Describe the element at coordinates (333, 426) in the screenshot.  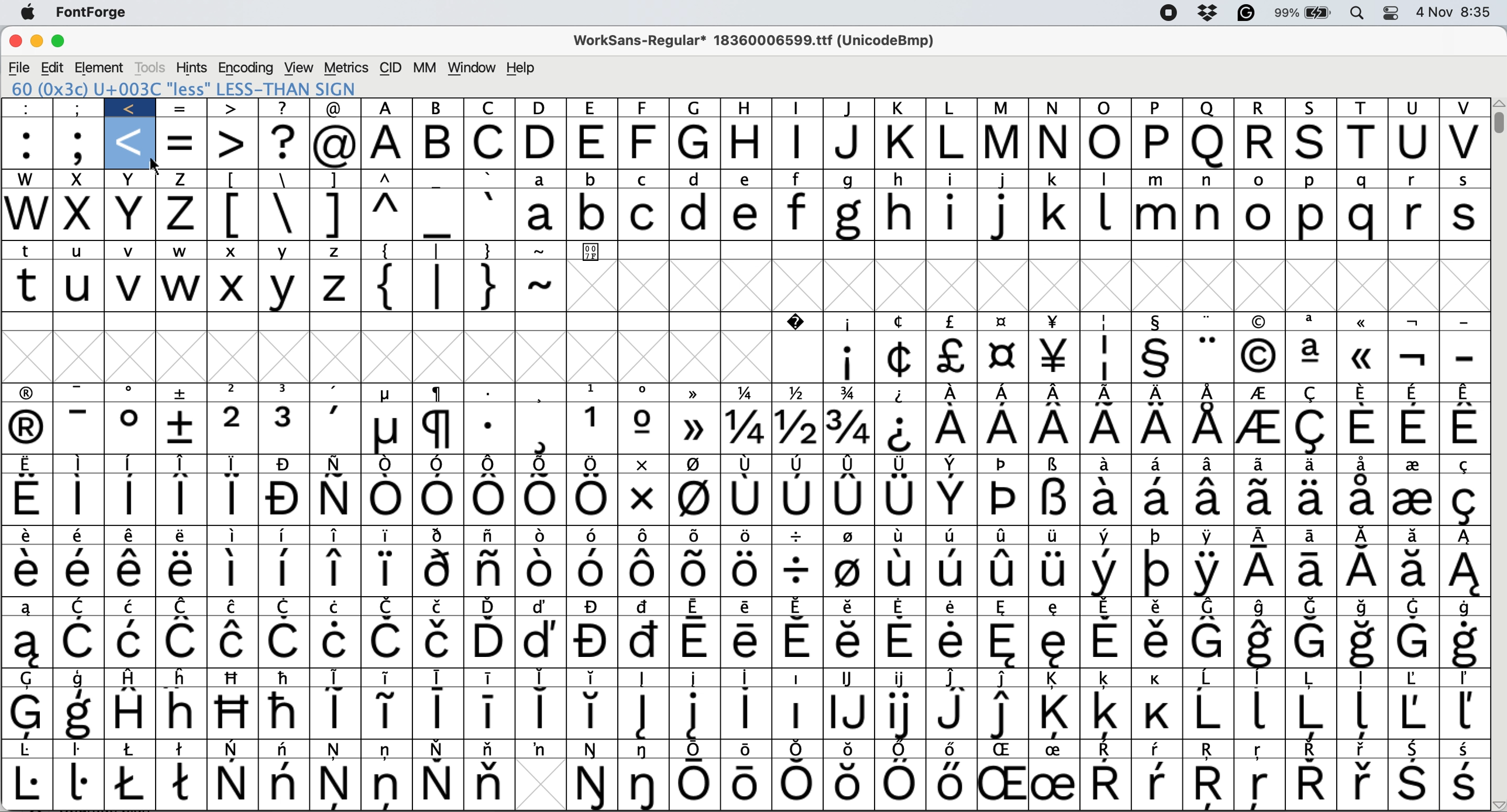
I see `,` at that location.